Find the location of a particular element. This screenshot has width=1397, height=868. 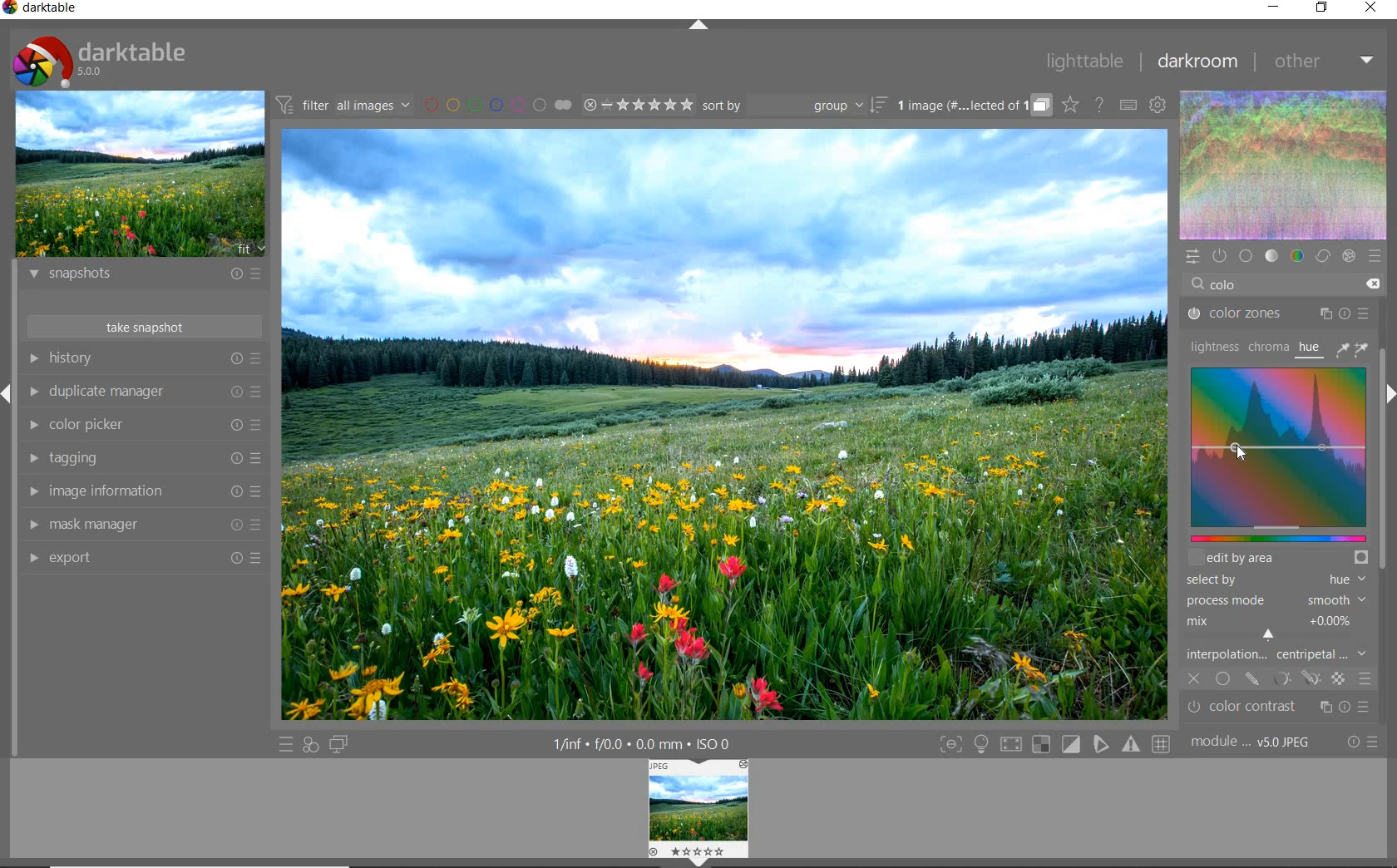

restore is located at coordinates (1324, 8).